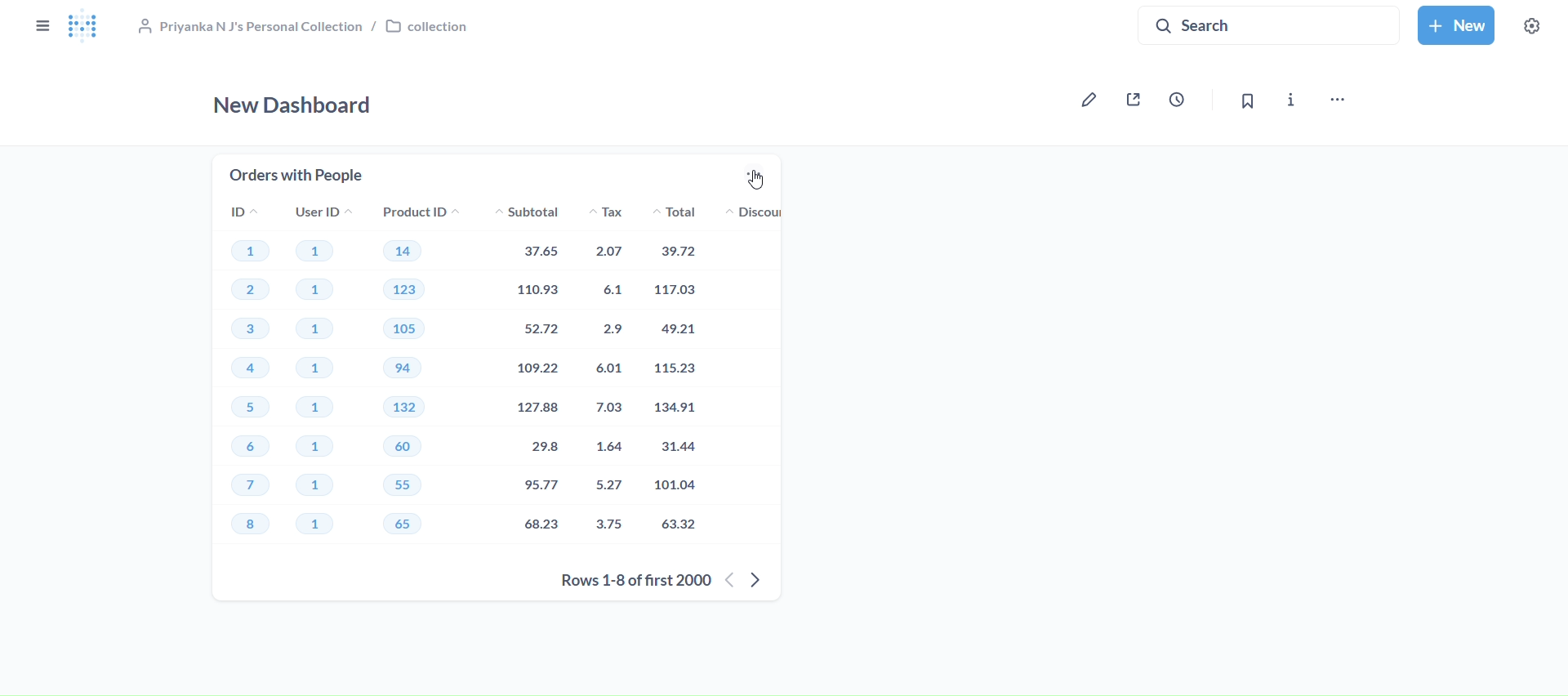  Describe the element at coordinates (635, 579) in the screenshot. I see `rows 1-8 of first 2000` at that location.